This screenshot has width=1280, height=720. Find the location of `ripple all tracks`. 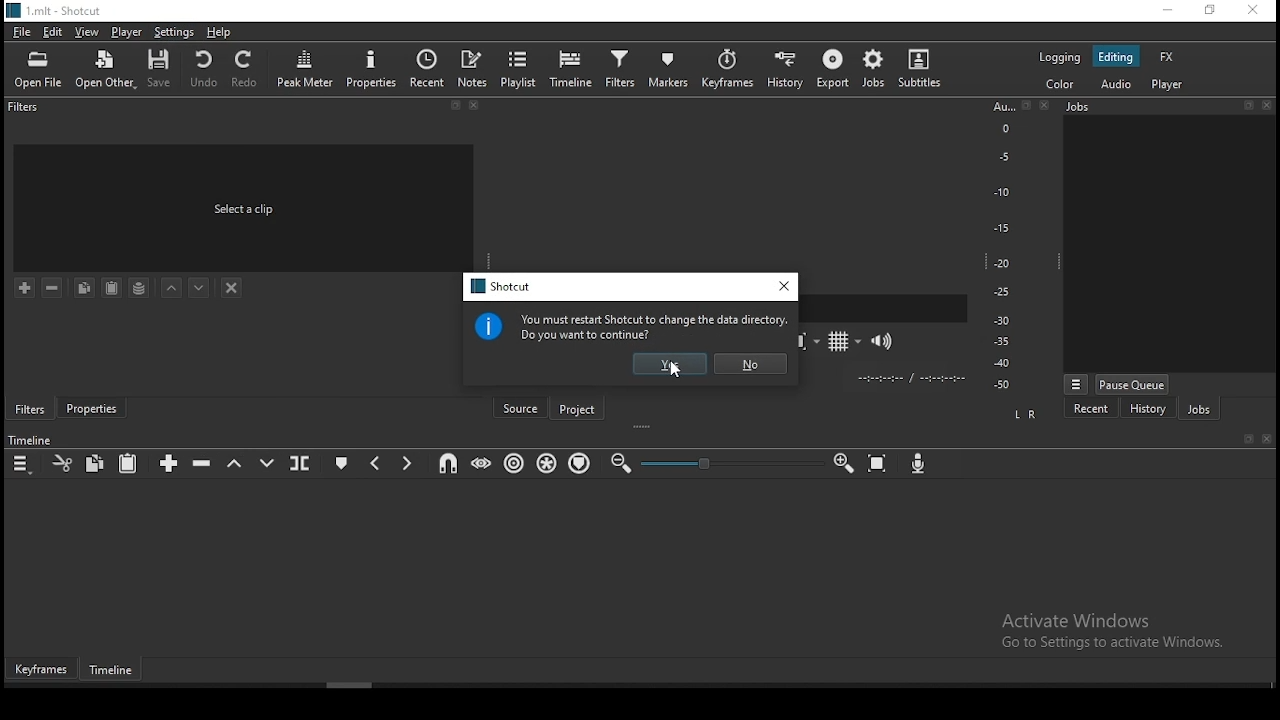

ripple all tracks is located at coordinates (547, 464).